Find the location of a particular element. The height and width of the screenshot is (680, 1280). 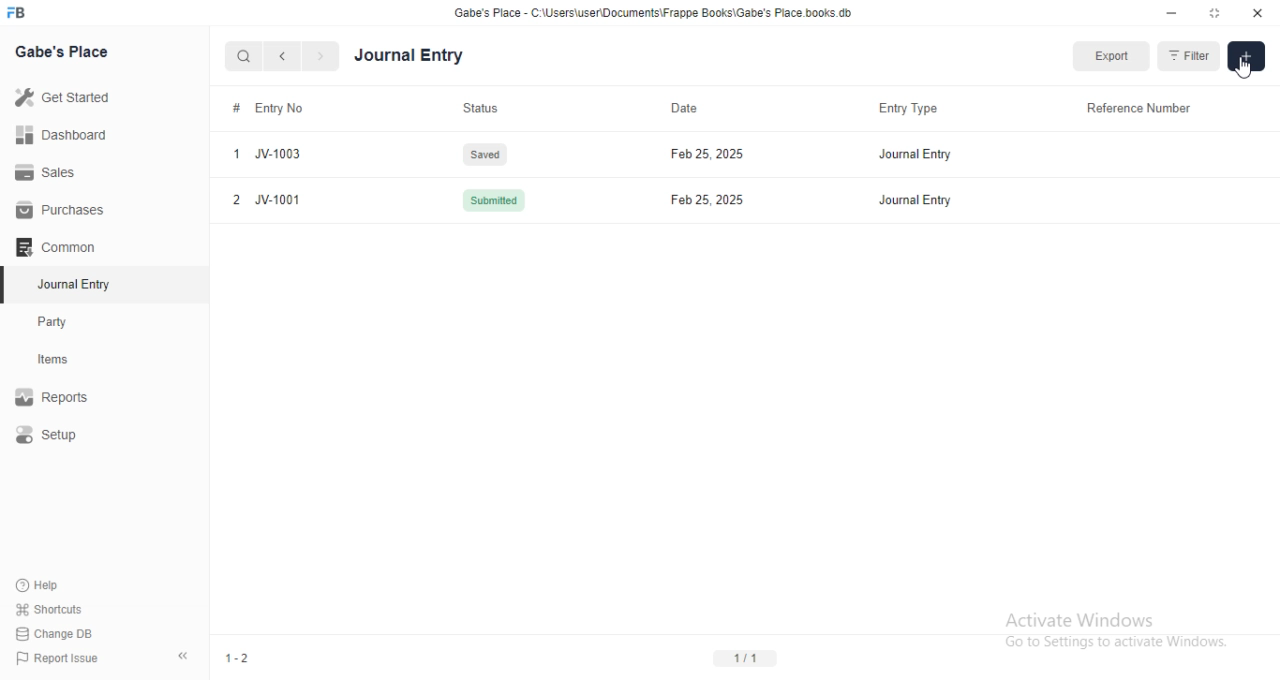

Feb 25, 2025 is located at coordinates (707, 153).